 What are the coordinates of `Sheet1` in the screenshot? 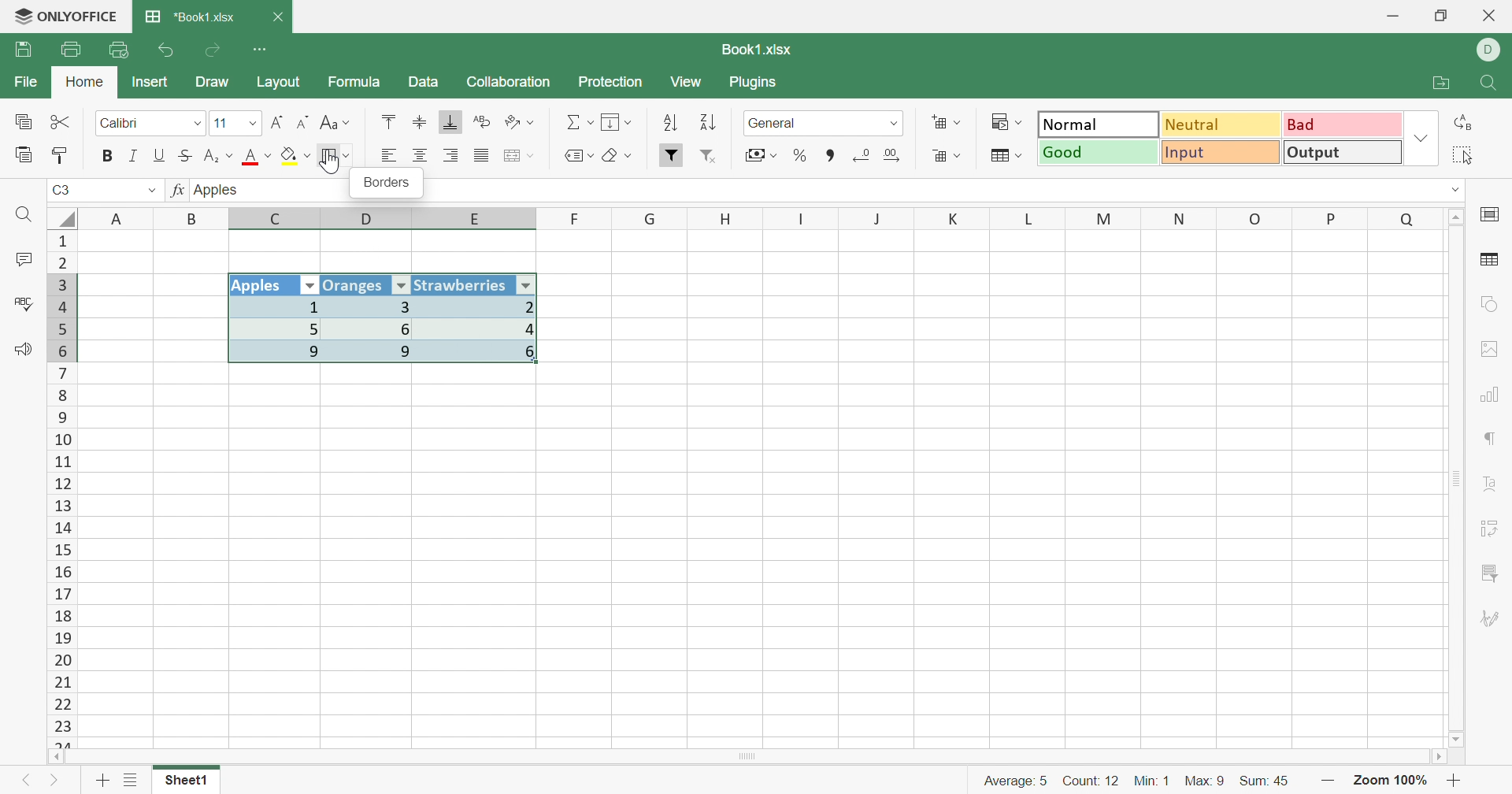 It's located at (186, 784).